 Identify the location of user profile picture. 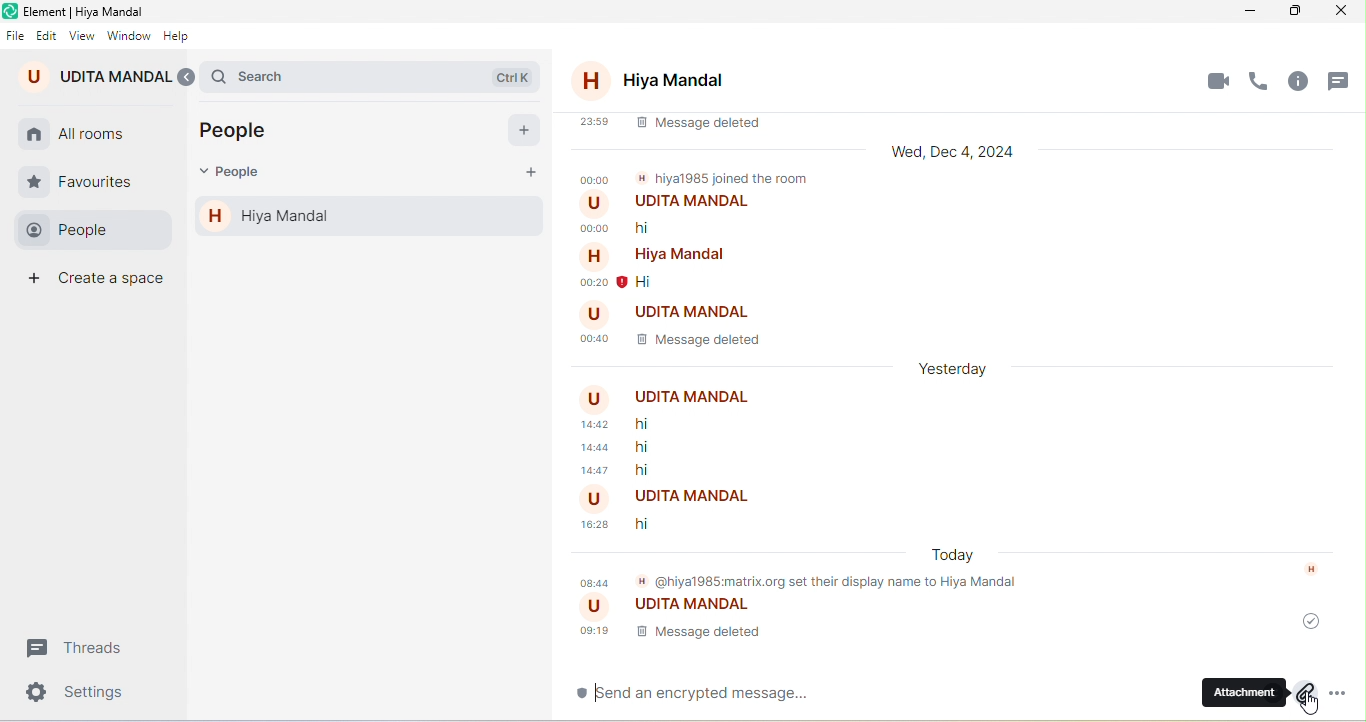
(594, 203).